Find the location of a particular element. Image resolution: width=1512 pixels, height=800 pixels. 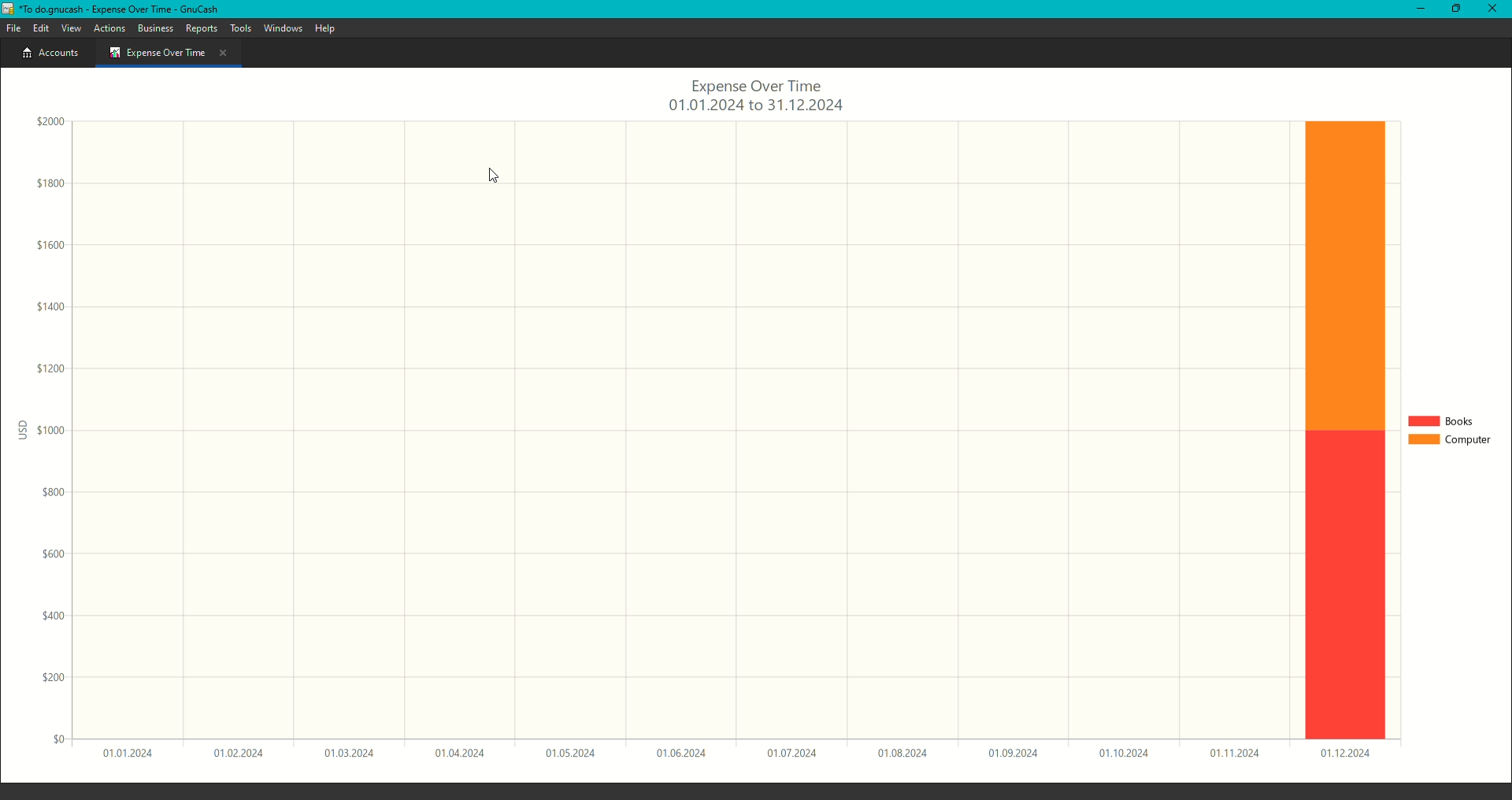

Help is located at coordinates (326, 29).